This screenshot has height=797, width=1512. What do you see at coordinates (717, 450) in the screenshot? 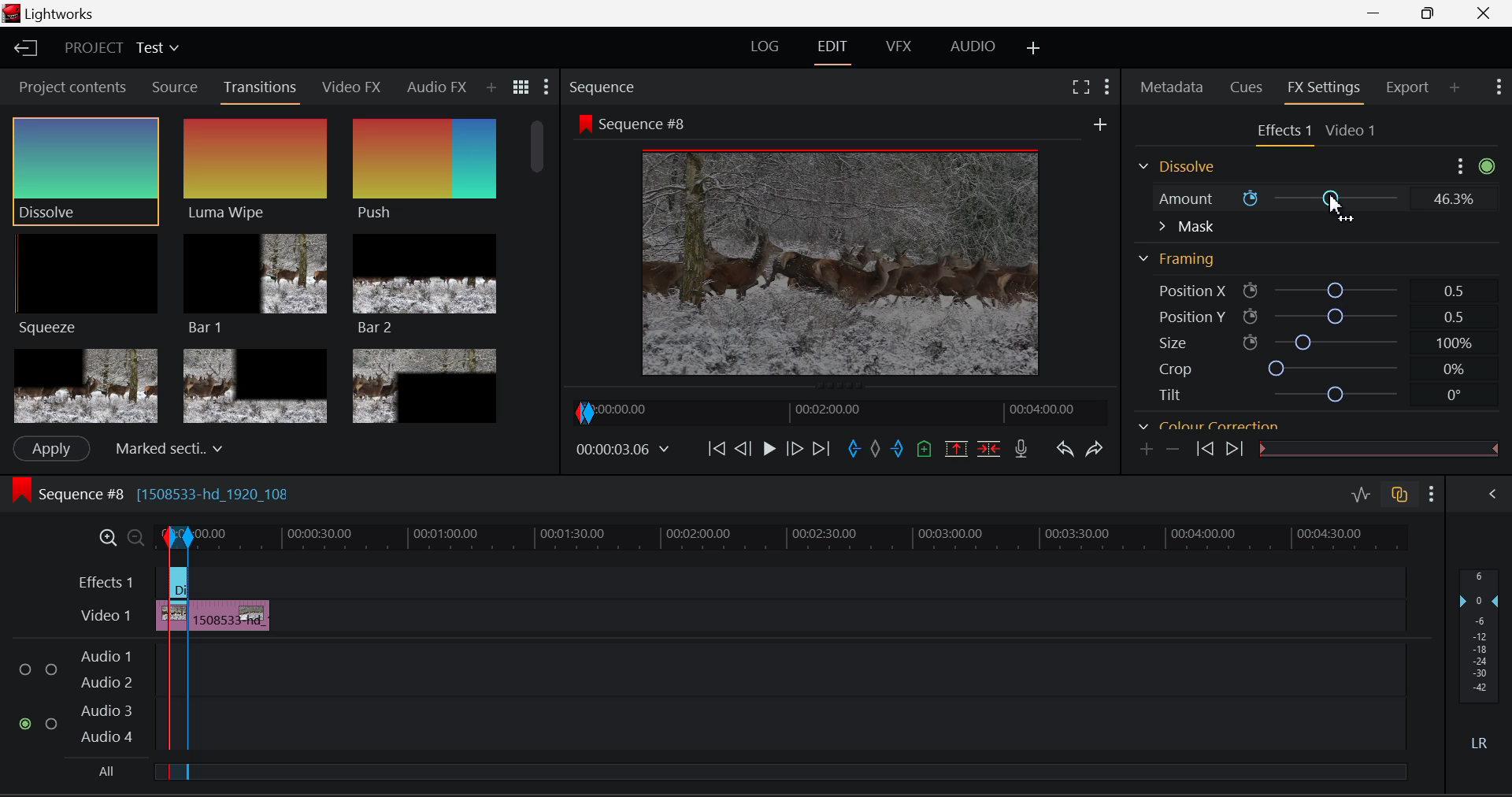
I see `To start` at bounding box center [717, 450].